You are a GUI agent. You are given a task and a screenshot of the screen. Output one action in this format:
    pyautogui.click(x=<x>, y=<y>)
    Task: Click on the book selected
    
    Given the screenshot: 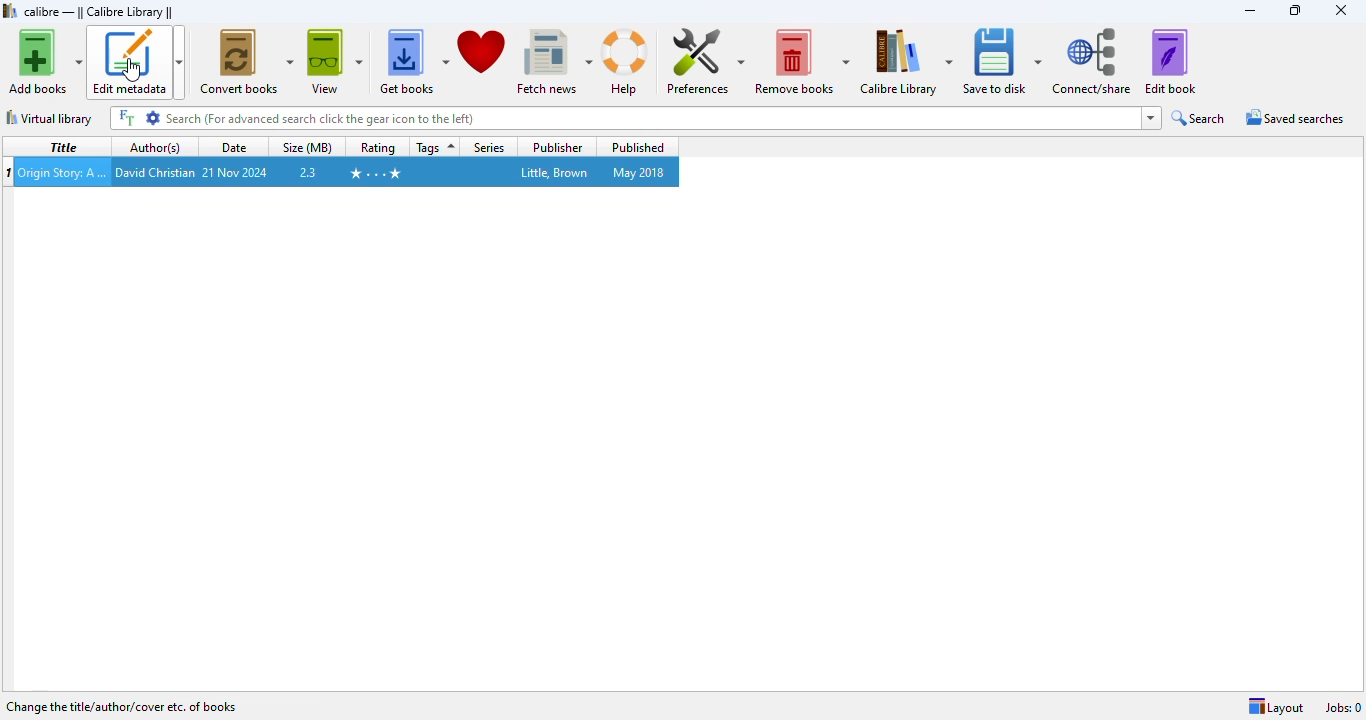 What is the action you would take?
    pyautogui.click(x=347, y=173)
    